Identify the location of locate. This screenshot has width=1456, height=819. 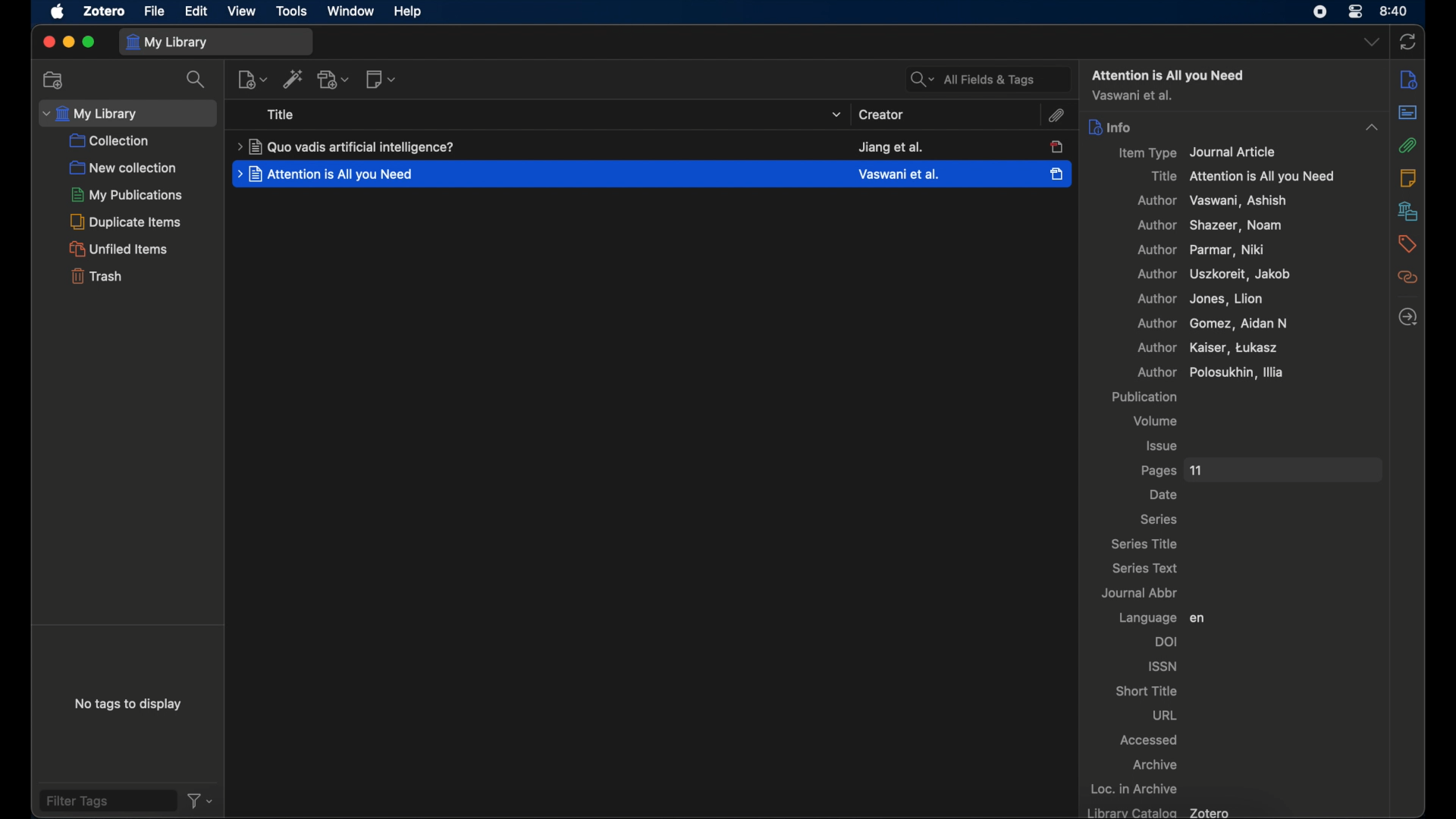
(1408, 317).